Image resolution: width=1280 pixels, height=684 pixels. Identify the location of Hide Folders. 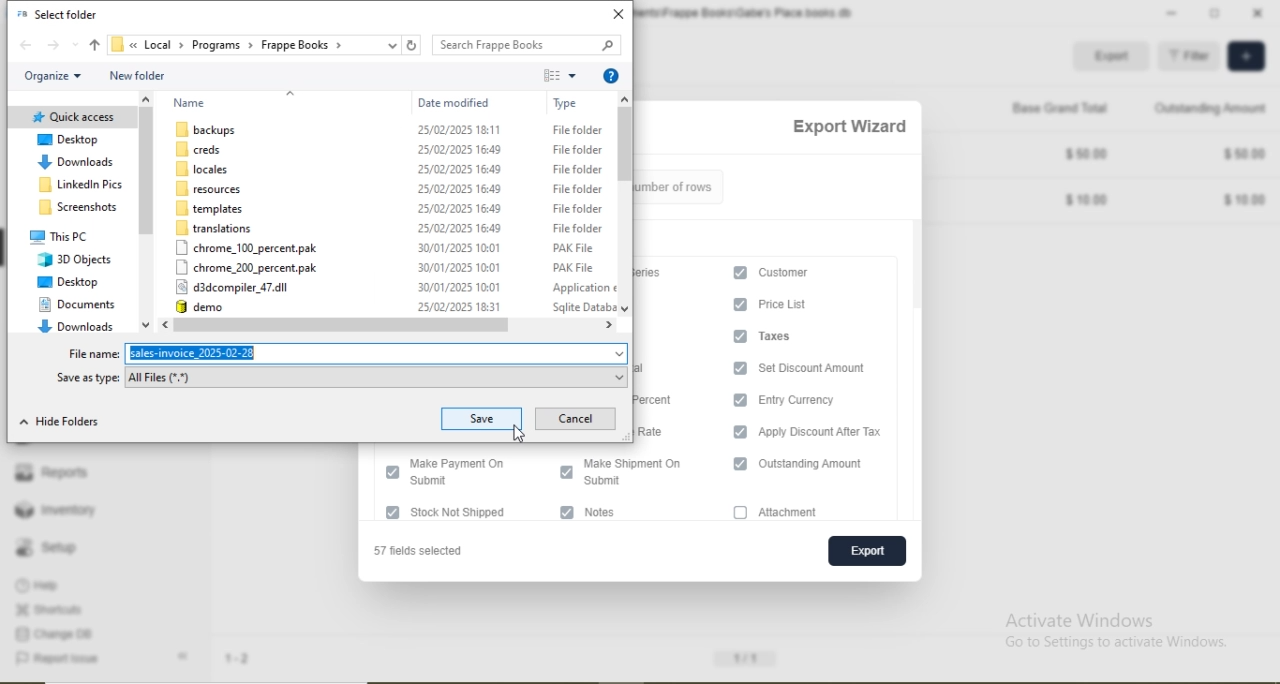
(55, 421).